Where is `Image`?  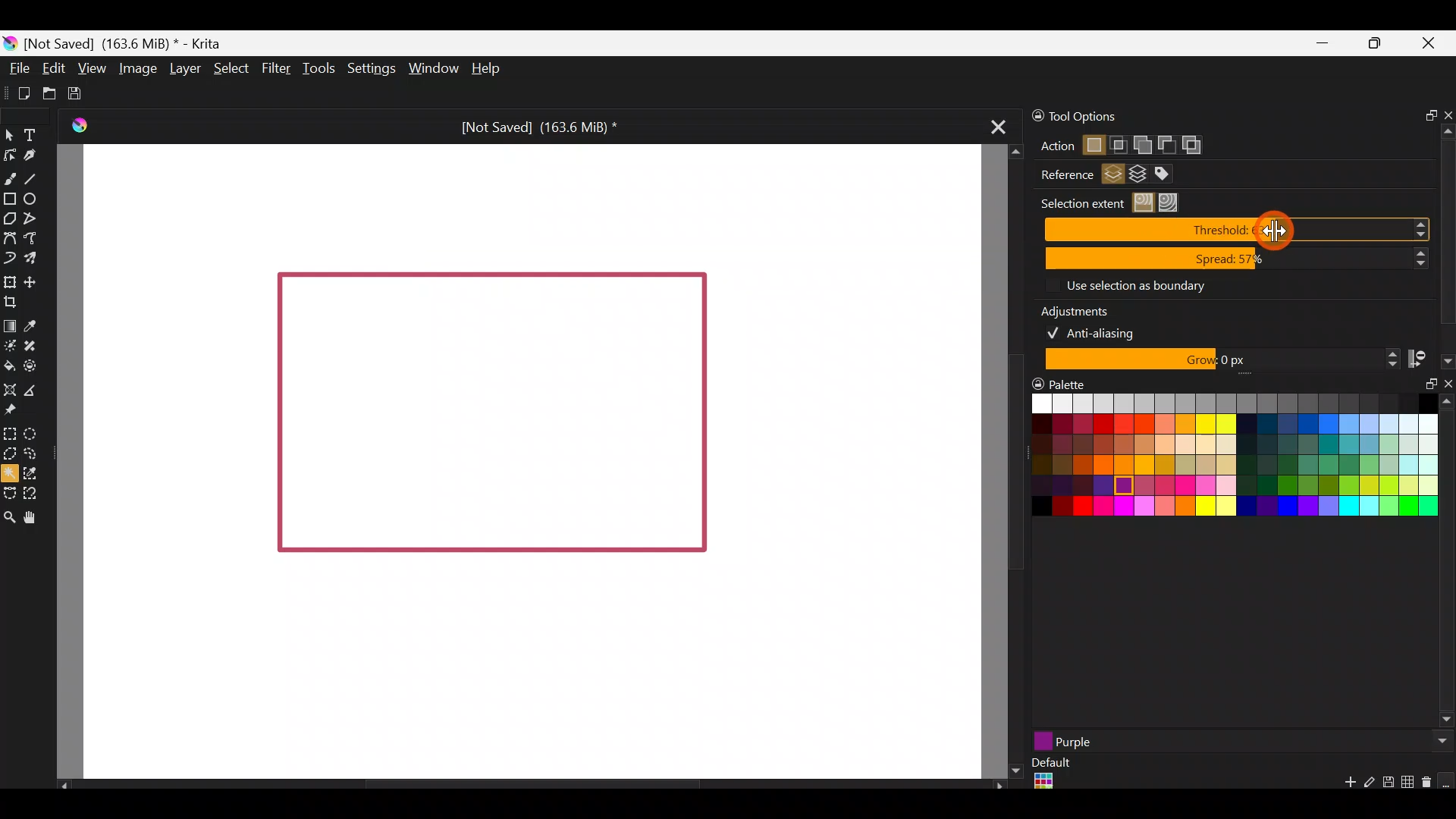 Image is located at coordinates (138, 70).